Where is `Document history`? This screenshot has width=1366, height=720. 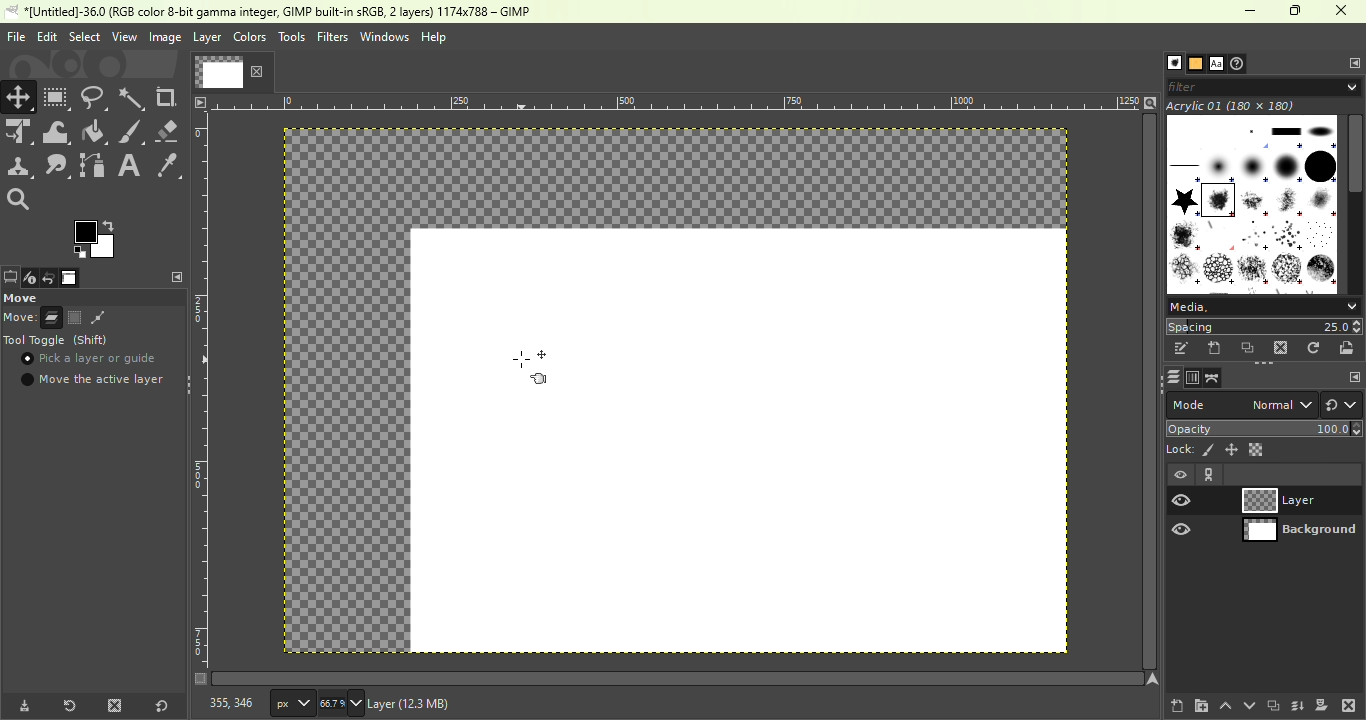 Document history is located at coordinates (1240, 63).